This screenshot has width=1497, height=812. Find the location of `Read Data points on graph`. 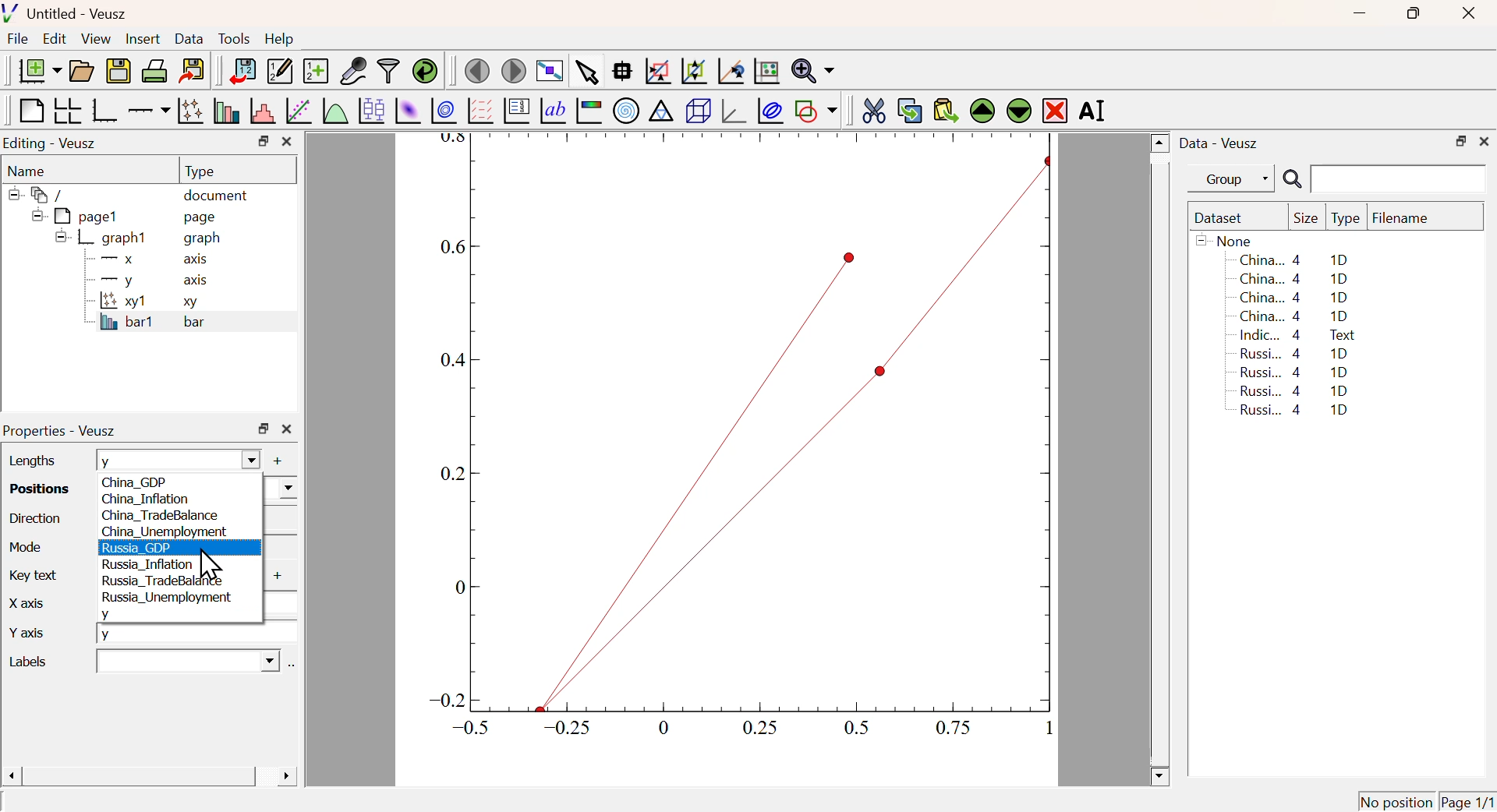

Read Data points on graph is located at coordinates (622, 70).